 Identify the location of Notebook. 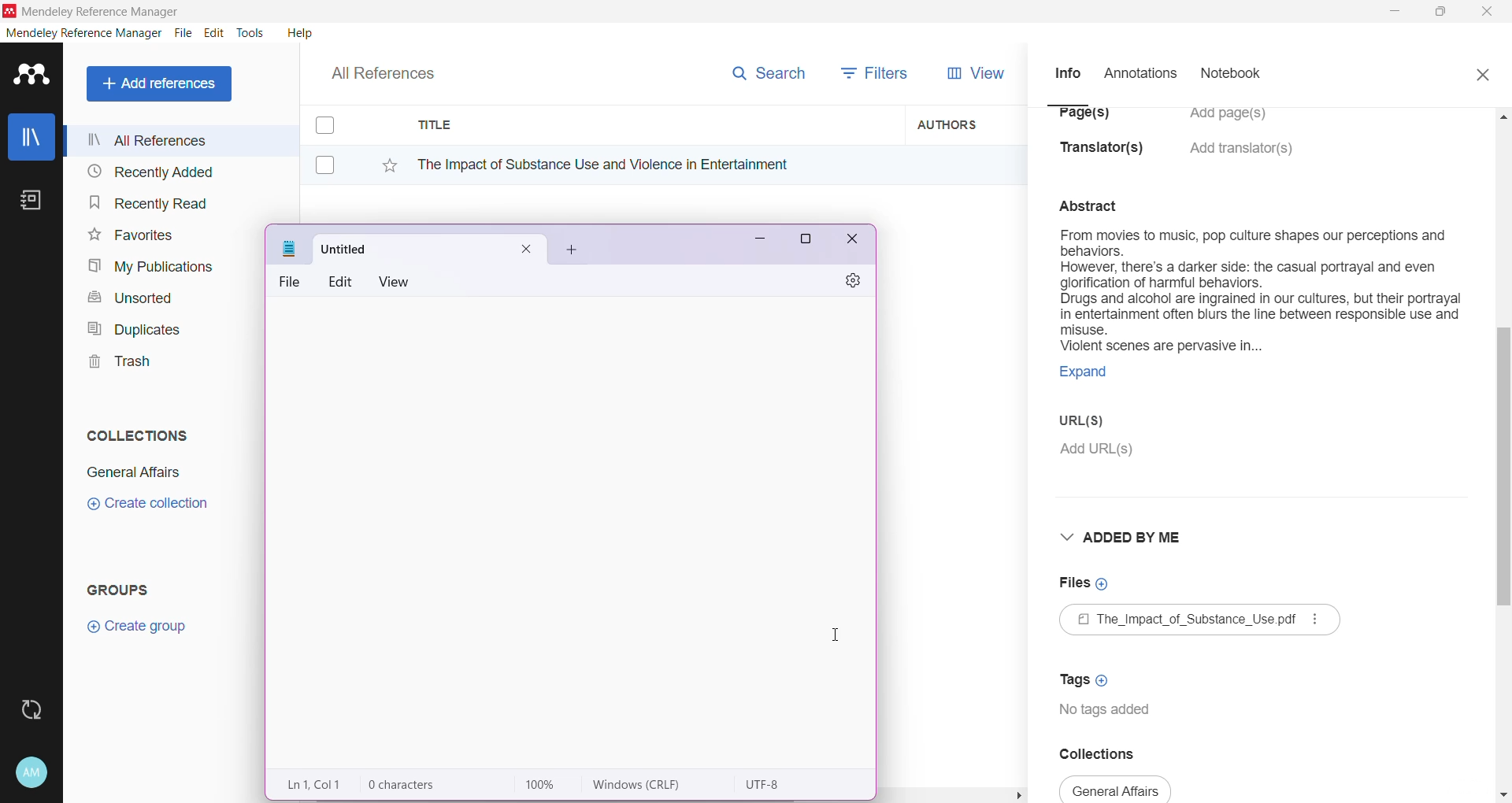
(1236, 75).